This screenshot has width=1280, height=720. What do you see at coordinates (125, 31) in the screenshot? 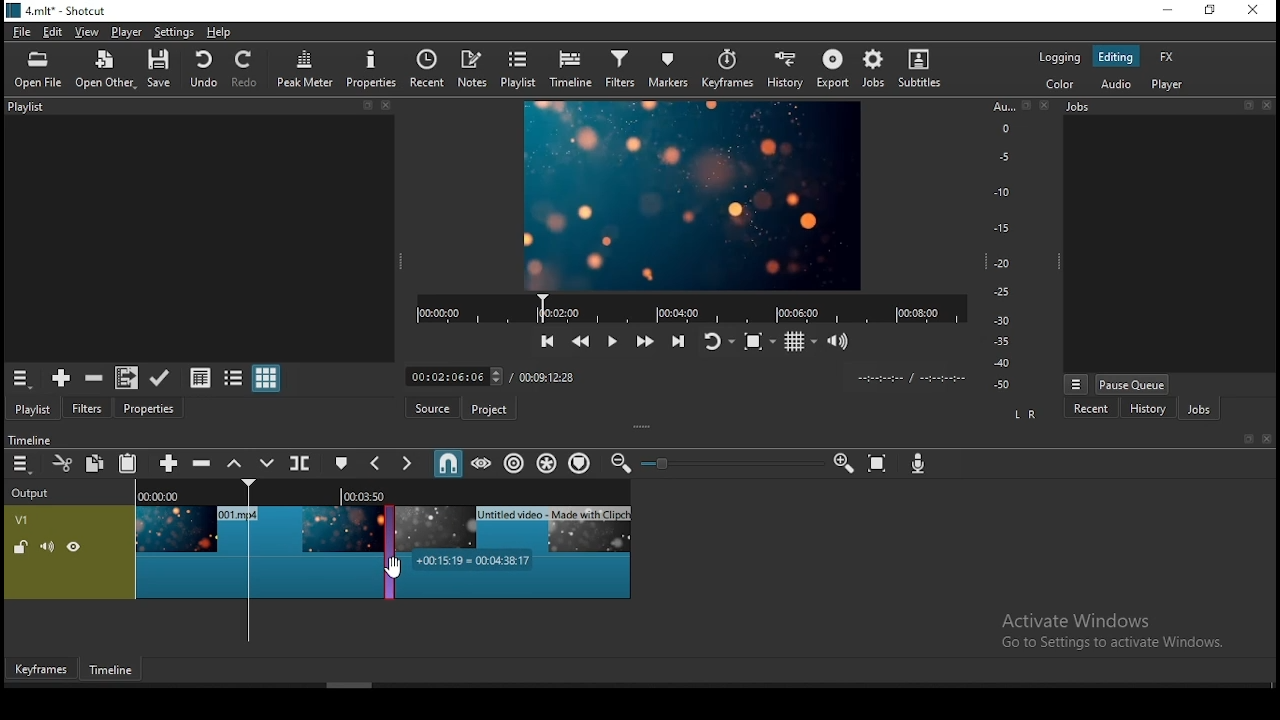
I see `player` at bounding box center [125, 31].